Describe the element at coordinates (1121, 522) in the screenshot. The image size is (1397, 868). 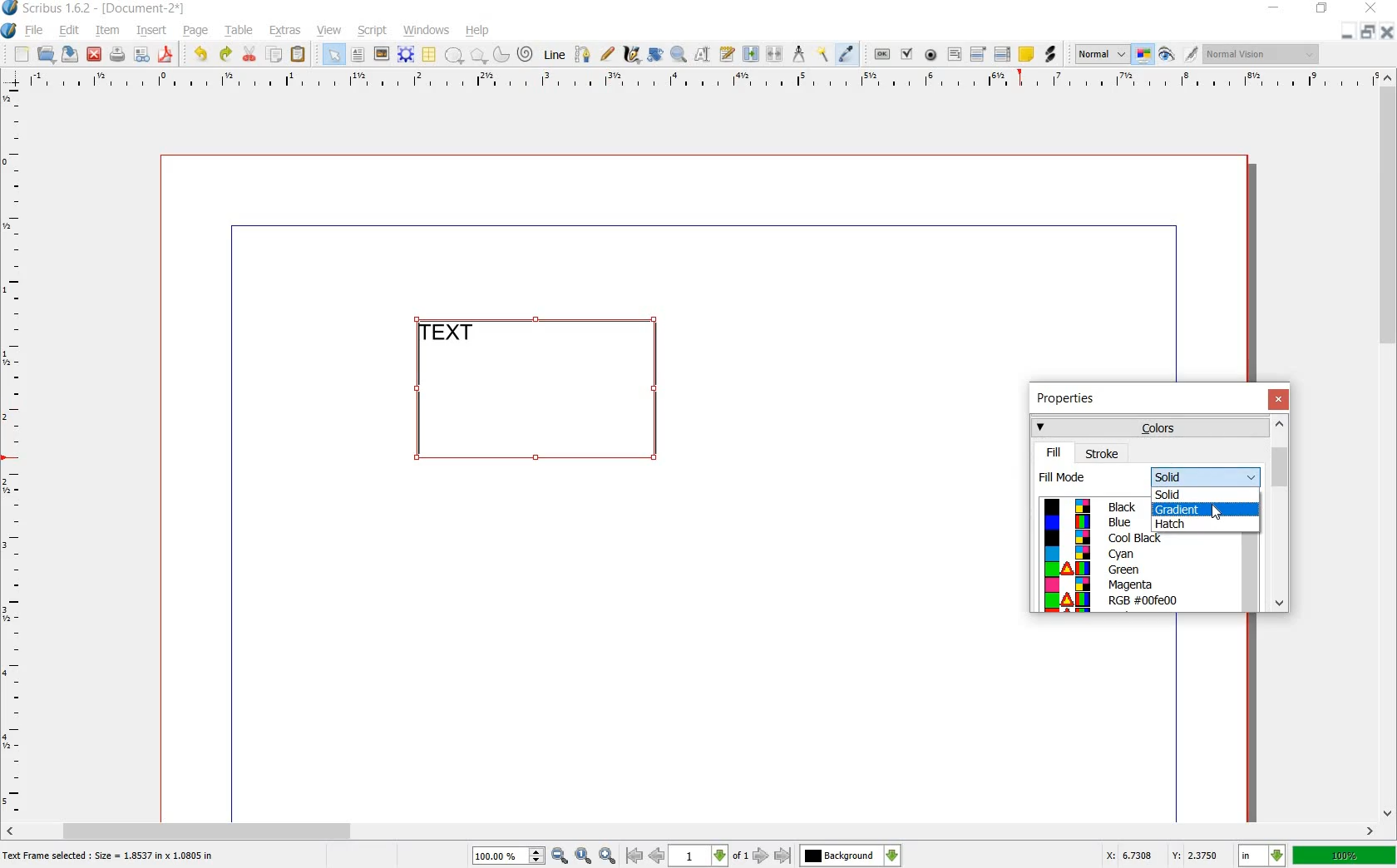
I see `blue` at that location.